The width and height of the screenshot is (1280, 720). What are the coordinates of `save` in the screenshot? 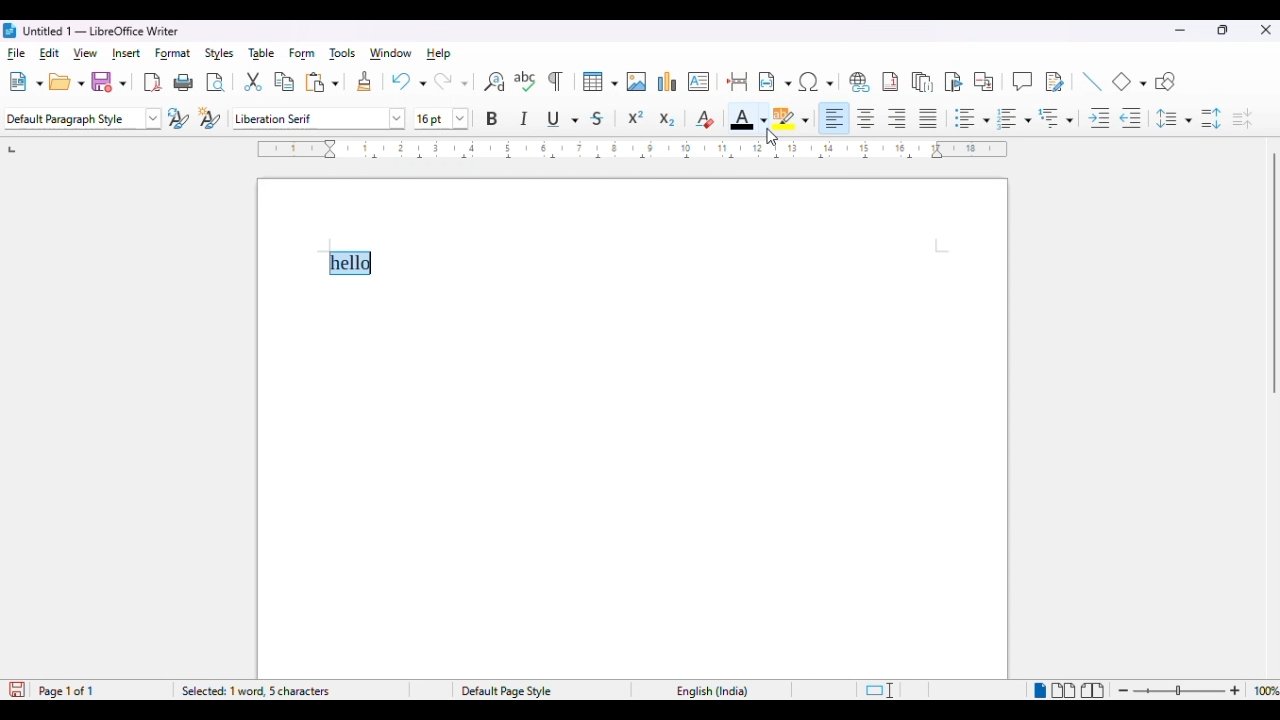 It's located at (109, 82).